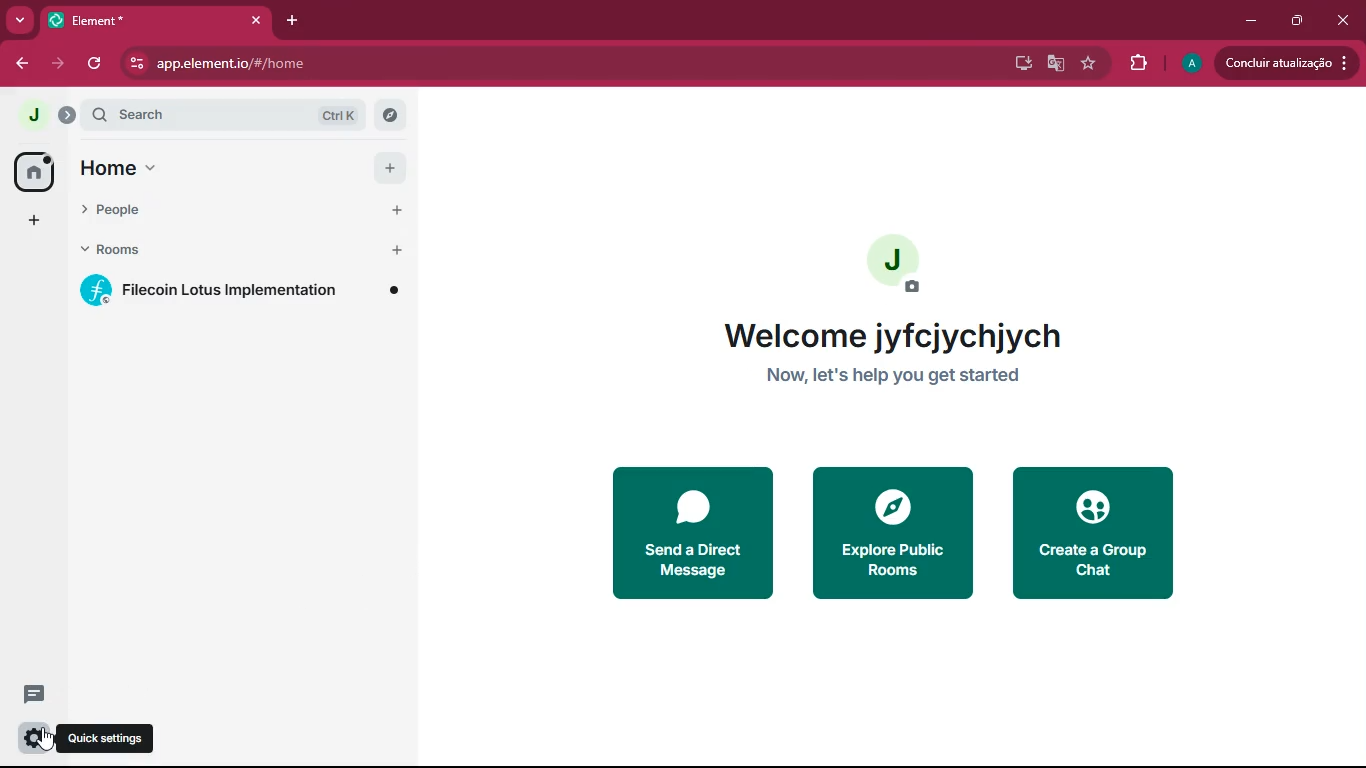  What do you see at coordinates (67, 116) in the screenshot?
I see `expand` at bounding box center [67, 116].